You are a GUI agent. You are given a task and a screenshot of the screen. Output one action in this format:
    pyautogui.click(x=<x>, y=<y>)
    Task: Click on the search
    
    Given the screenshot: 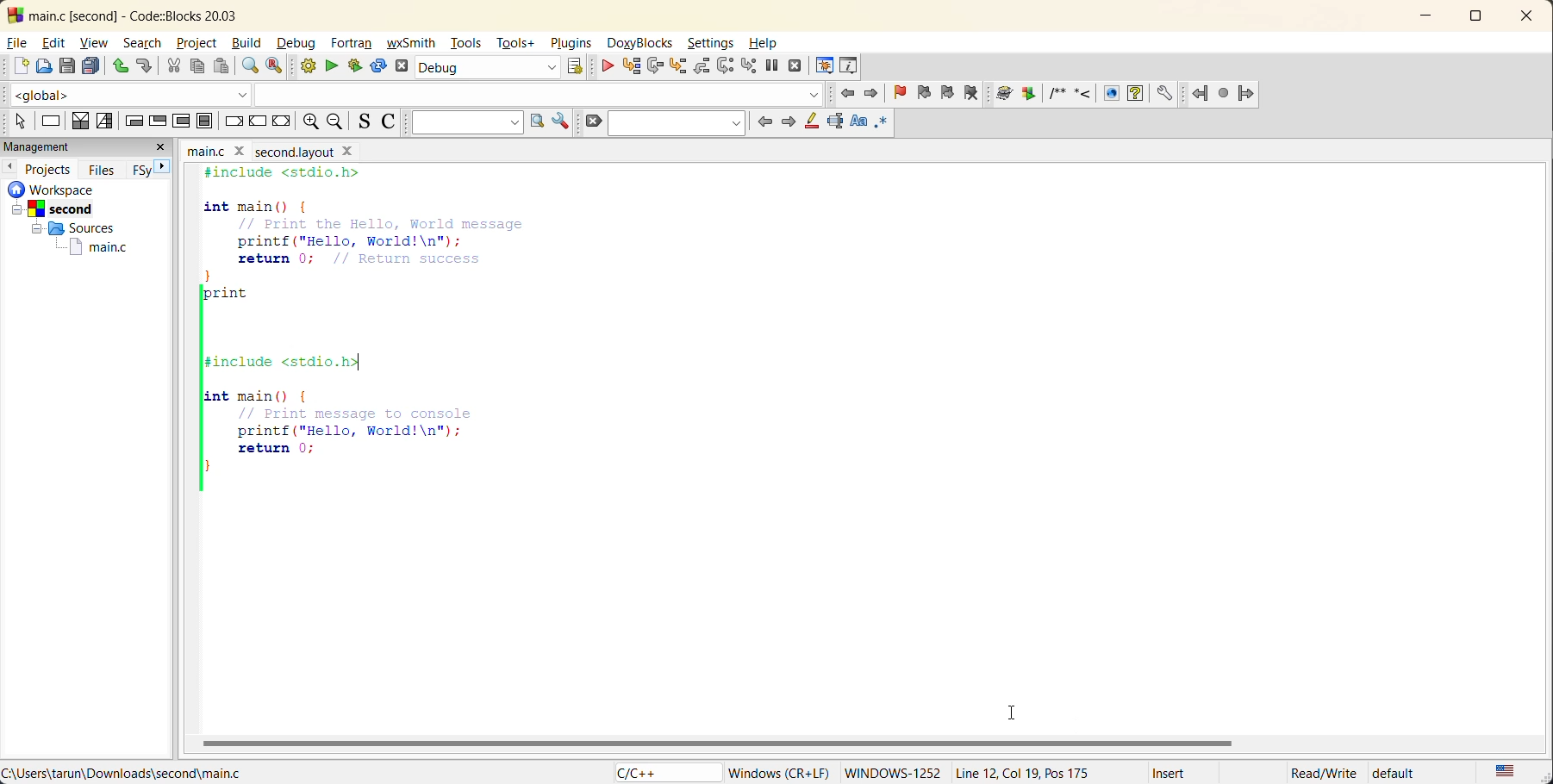 What is the action you would take?
    pyautogui.click(x=146, y=43)
    